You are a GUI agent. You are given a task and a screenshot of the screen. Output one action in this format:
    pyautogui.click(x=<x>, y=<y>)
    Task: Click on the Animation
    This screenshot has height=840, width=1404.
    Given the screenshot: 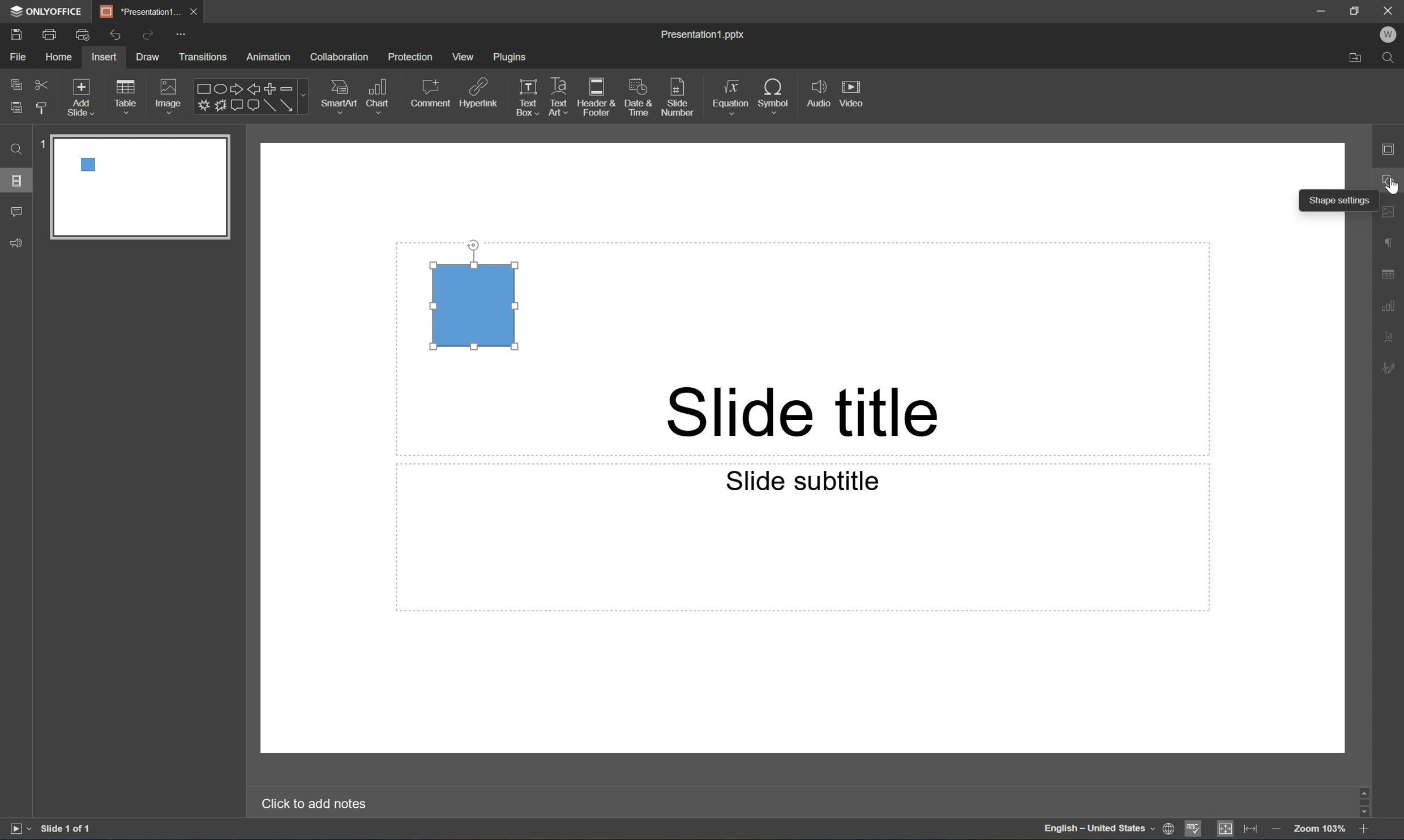 What is the action you would take?
    pyautogui.click(x=268, y=58)
    